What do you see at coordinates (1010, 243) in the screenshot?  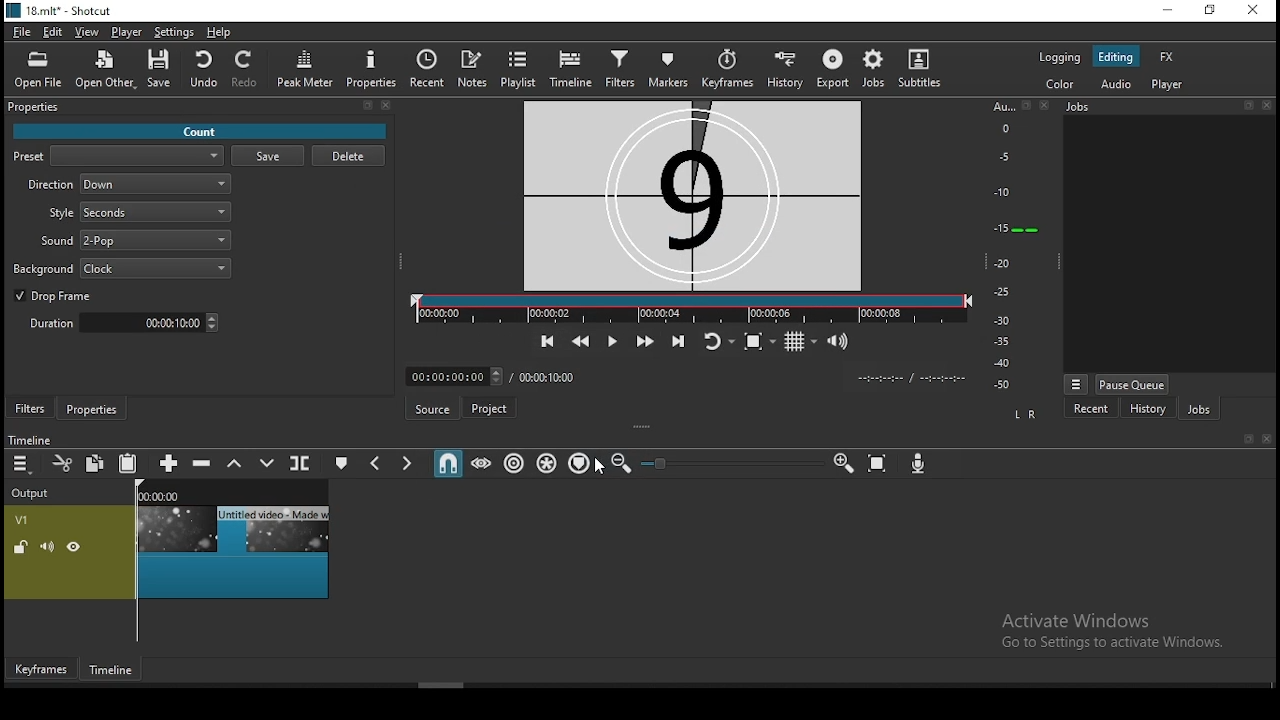 I see `scale` at bounding box center [1010, 243].